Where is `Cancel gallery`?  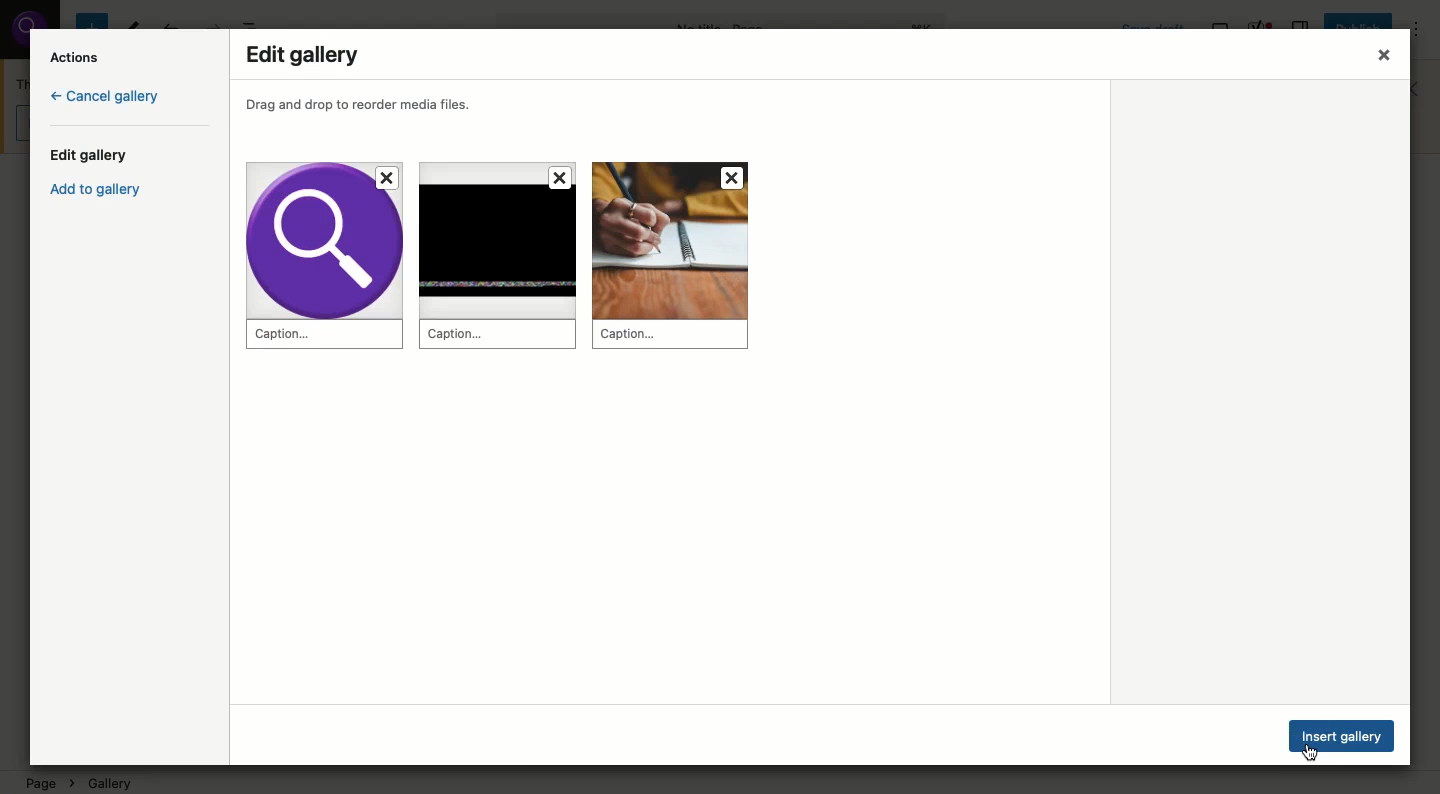 Cancel gallery is located at coordinates (105, 98).